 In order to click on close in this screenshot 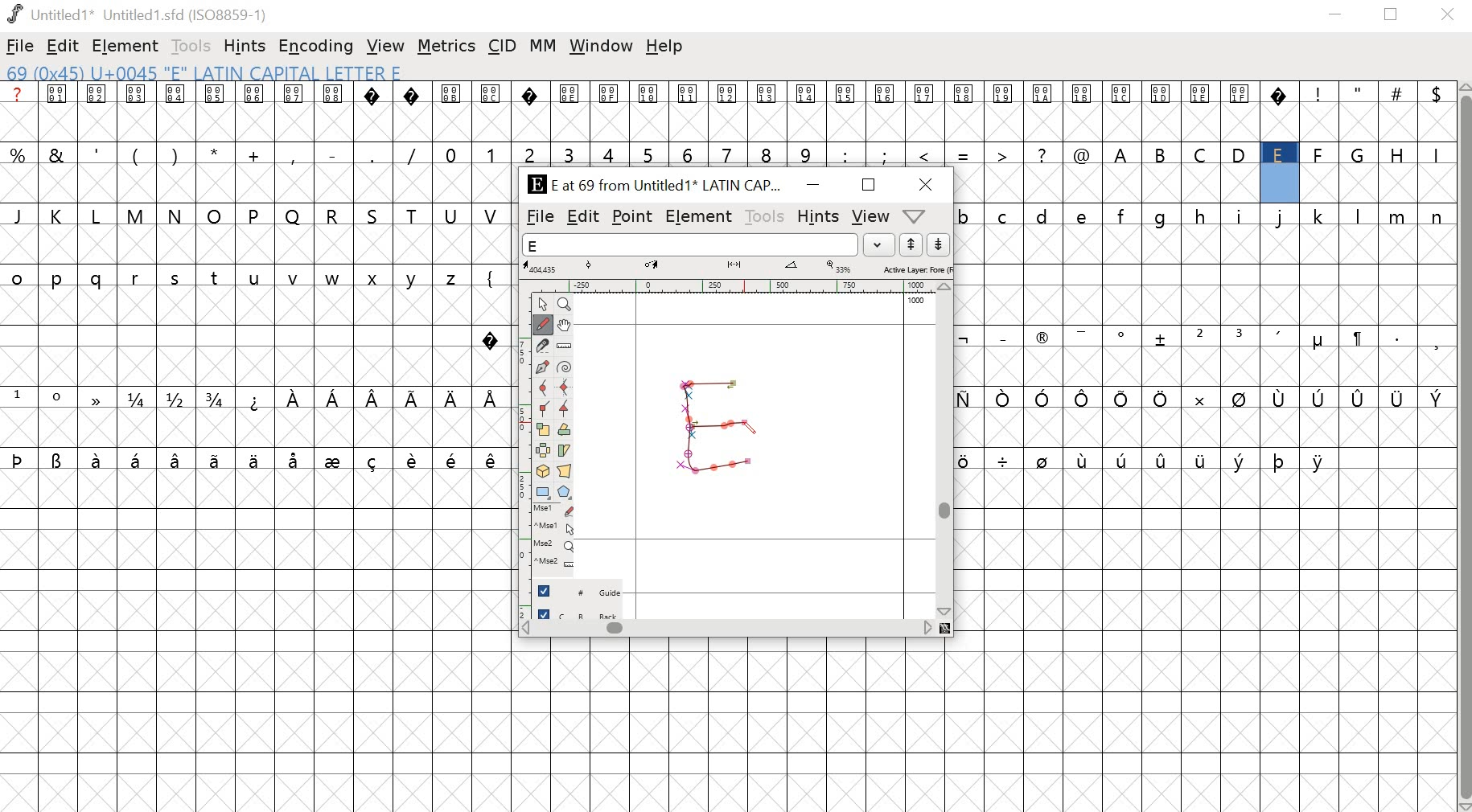, I will do `click(928, 185)`.